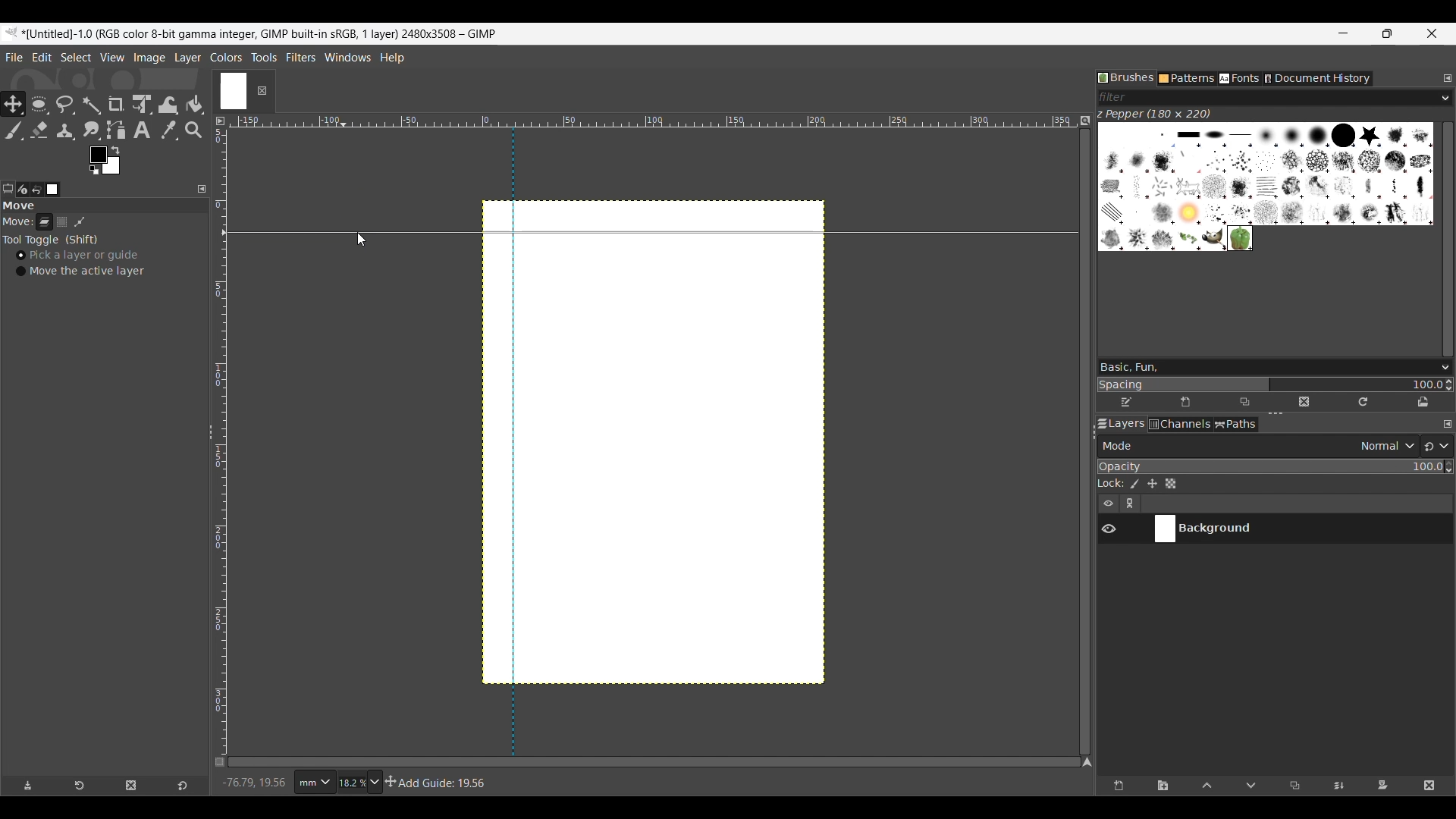  Describe the element at coordinates (357, 237) in the screenshot. I see `Cursor clicking on horizontal scale` at that location.